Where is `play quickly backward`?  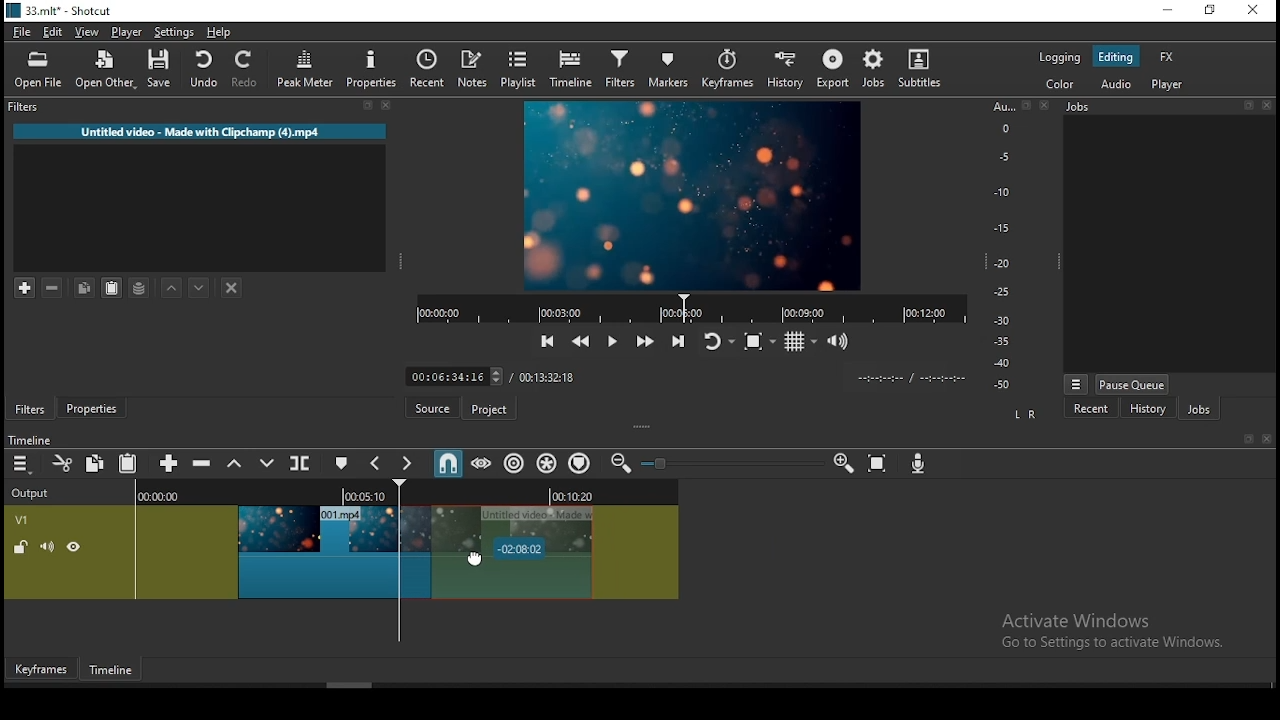
play quickly backward is located at coordinates (579, 339).